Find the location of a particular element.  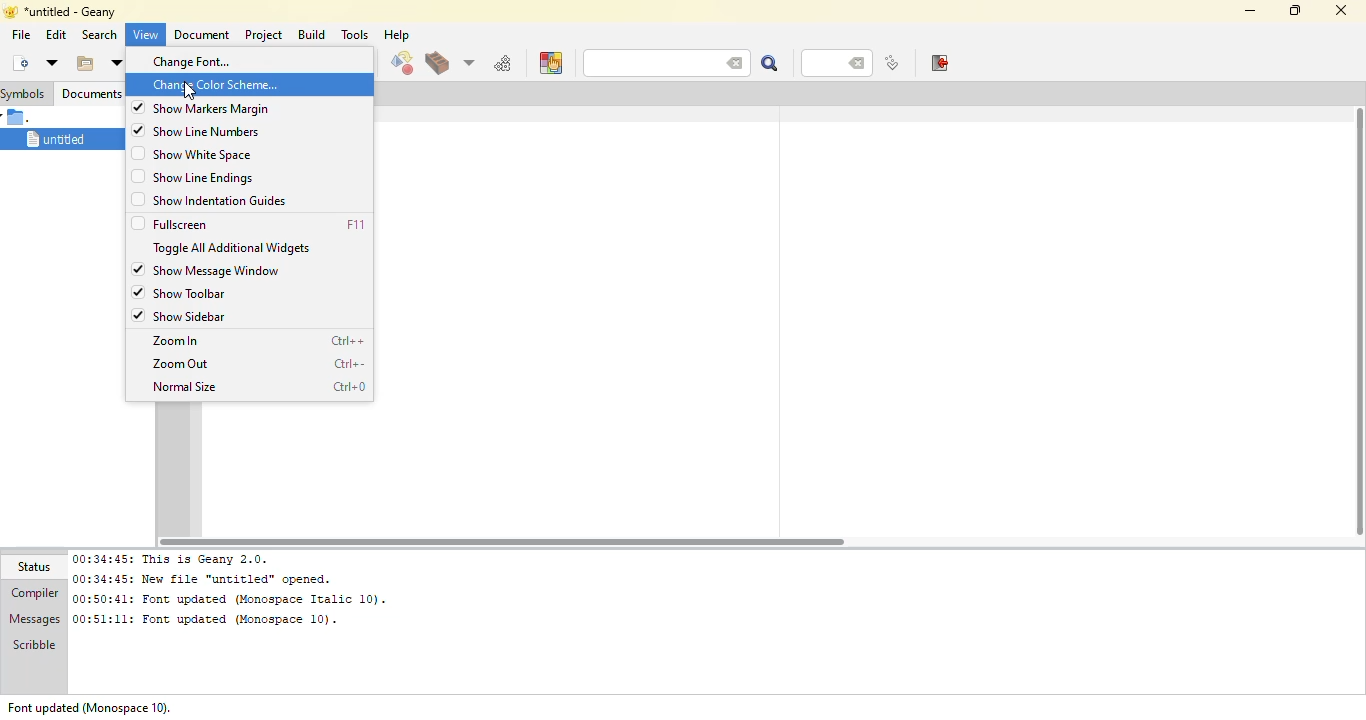

new from template is located at coordinates (51, 62).